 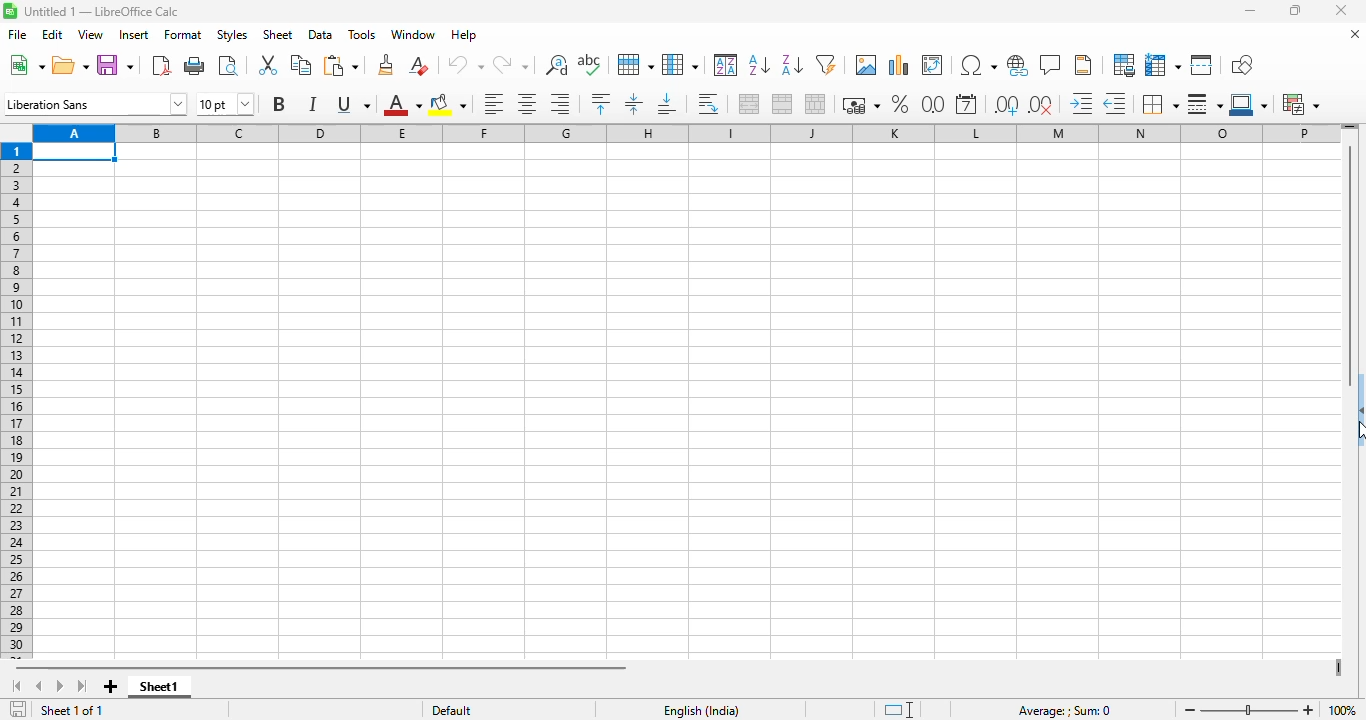 I want to click on show draw functions, so click(x=1242, y=65).